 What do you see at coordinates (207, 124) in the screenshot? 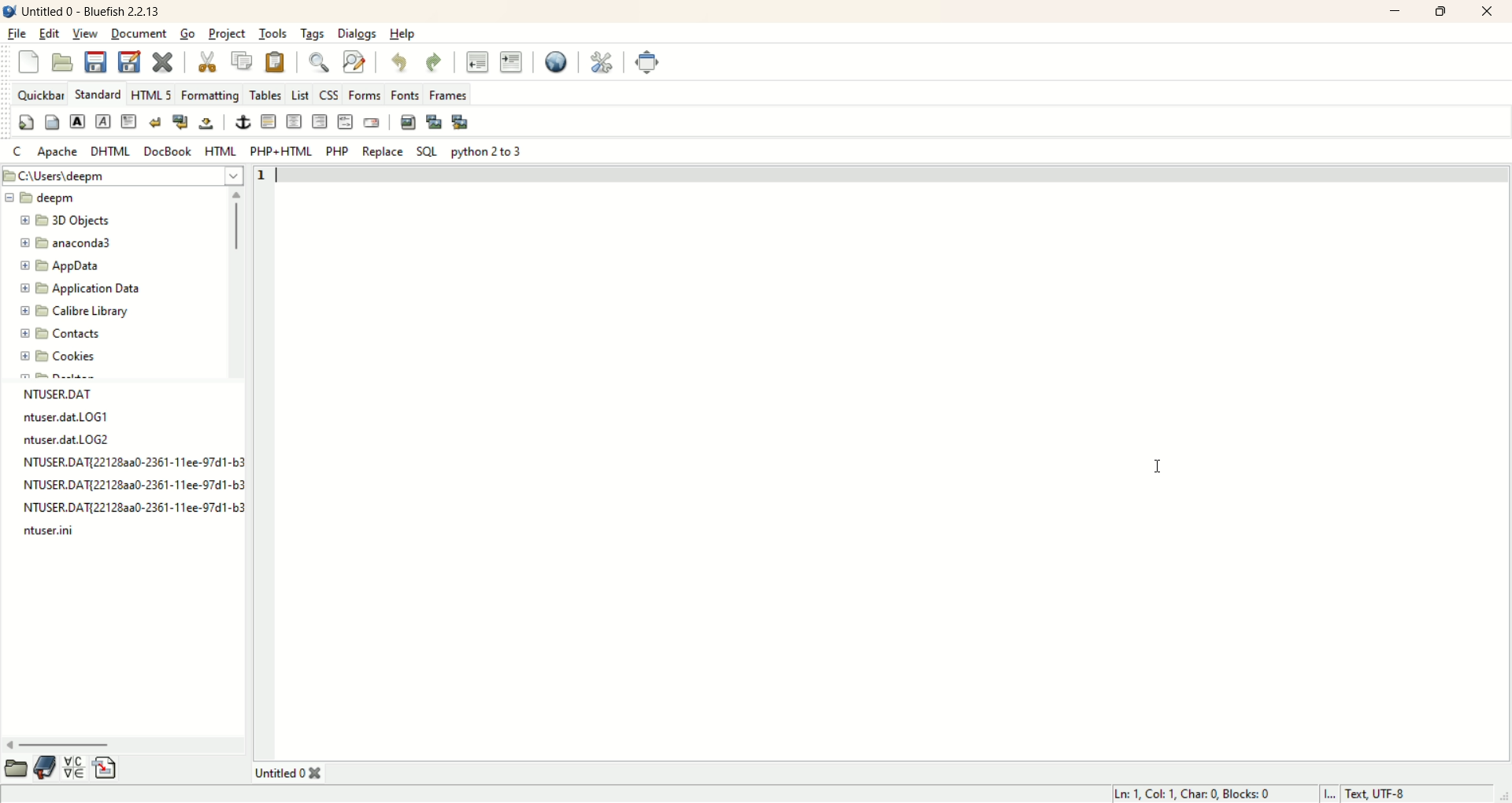
I see `non breaking space` at bounding box center [207, 124].